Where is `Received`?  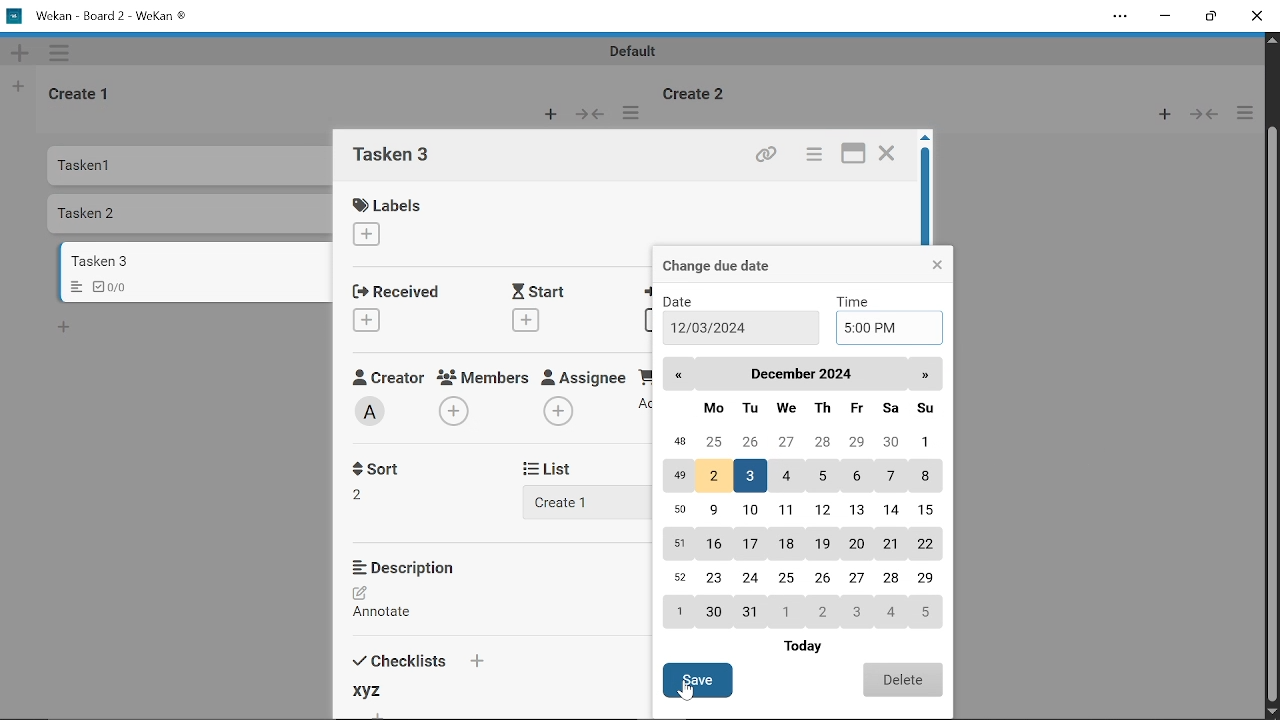
Received is located at coordinates (394, 290).